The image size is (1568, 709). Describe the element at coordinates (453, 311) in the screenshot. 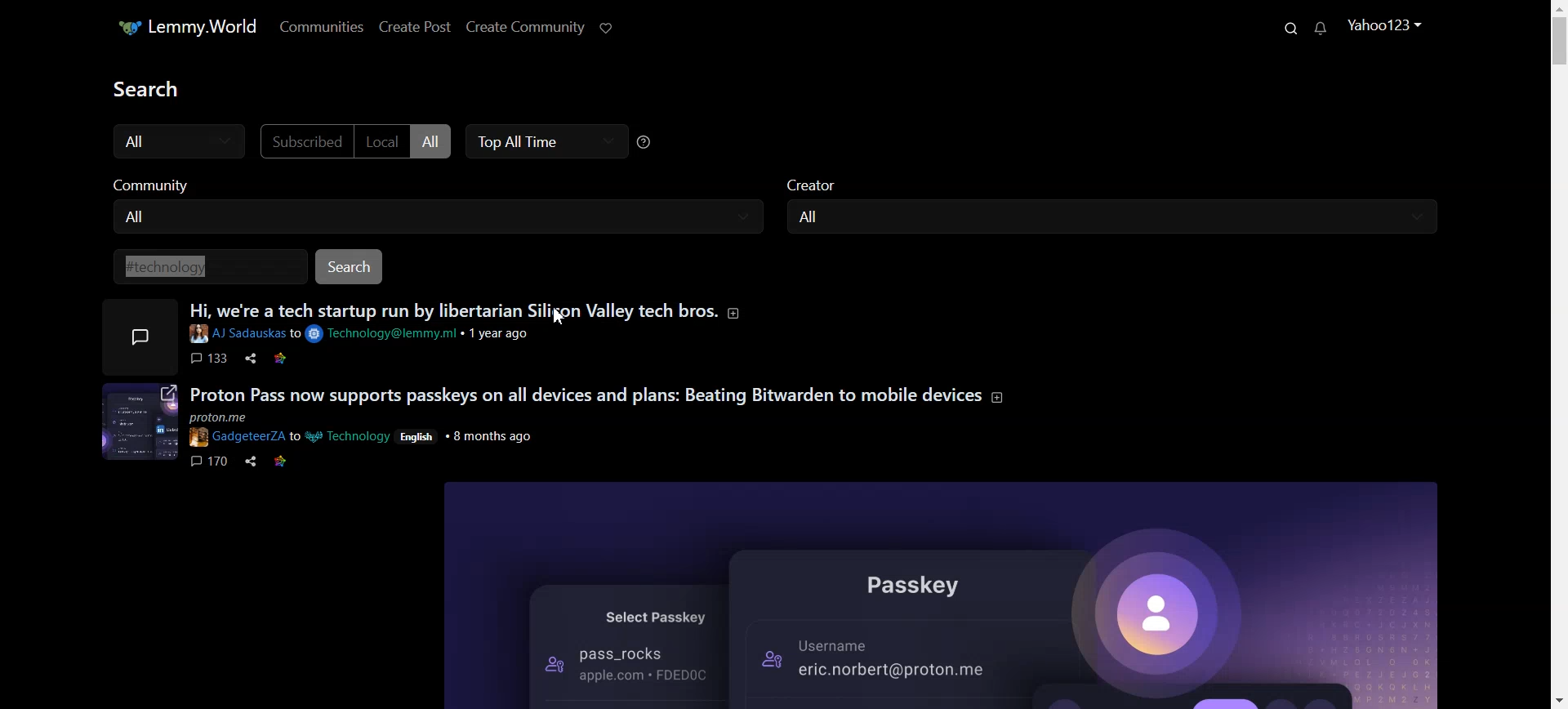

I see `Hi, we're a tech startup by libertarian Silicon valley tec bros.` at that location.